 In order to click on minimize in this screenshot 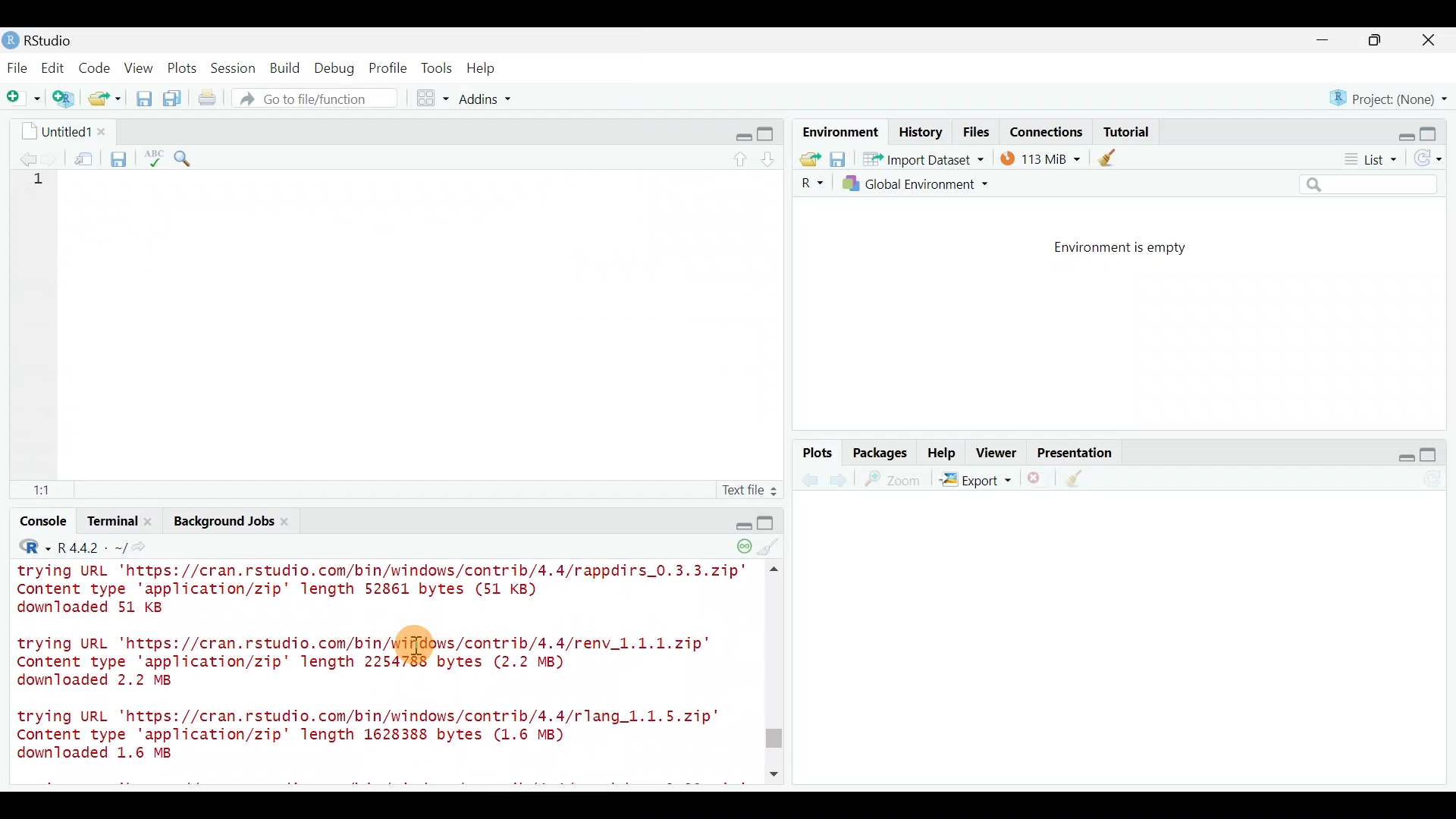, I will do `click(1330, 41)`.